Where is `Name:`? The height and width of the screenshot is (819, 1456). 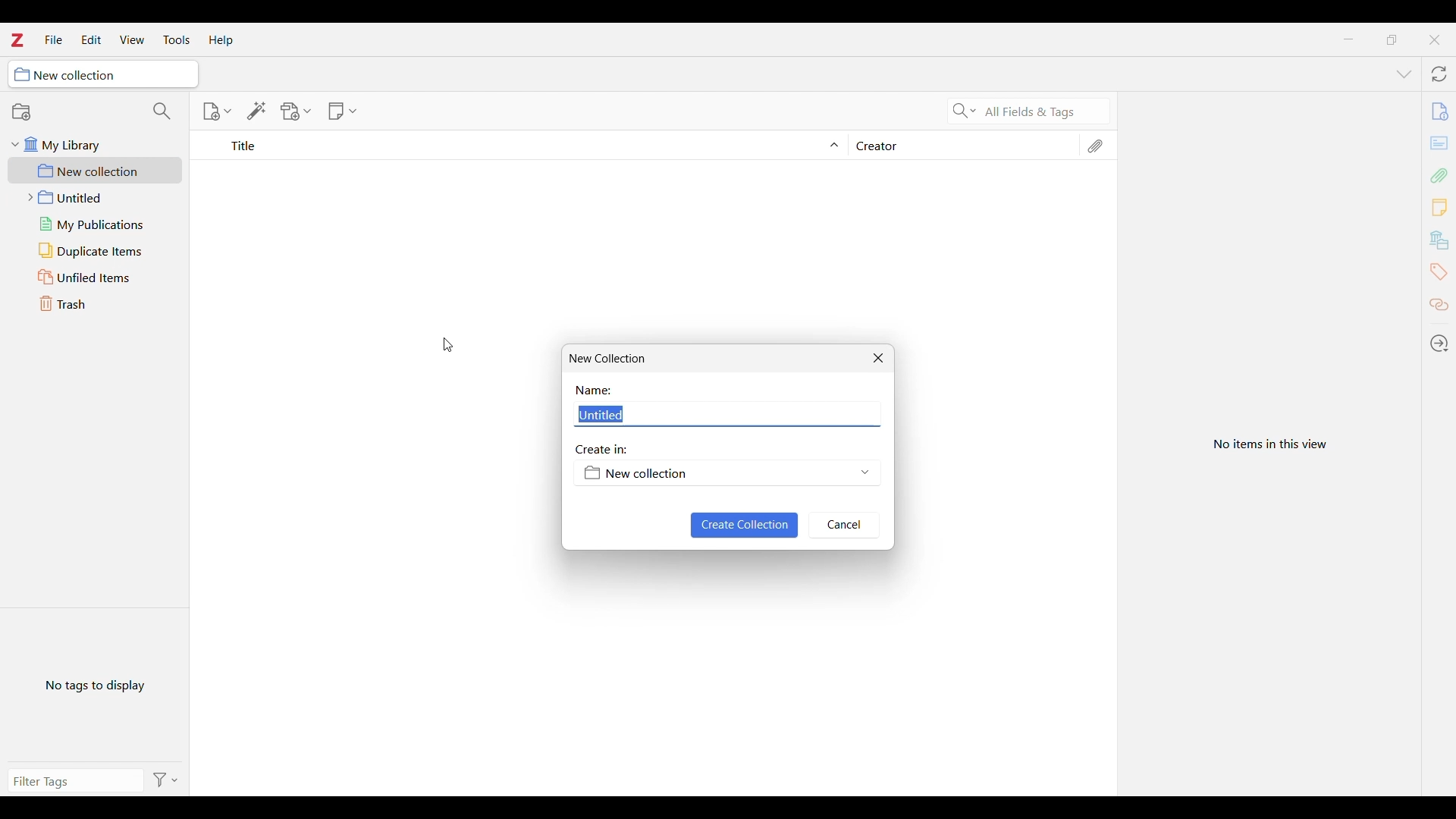
Name: is located at coordinates (595, 391).